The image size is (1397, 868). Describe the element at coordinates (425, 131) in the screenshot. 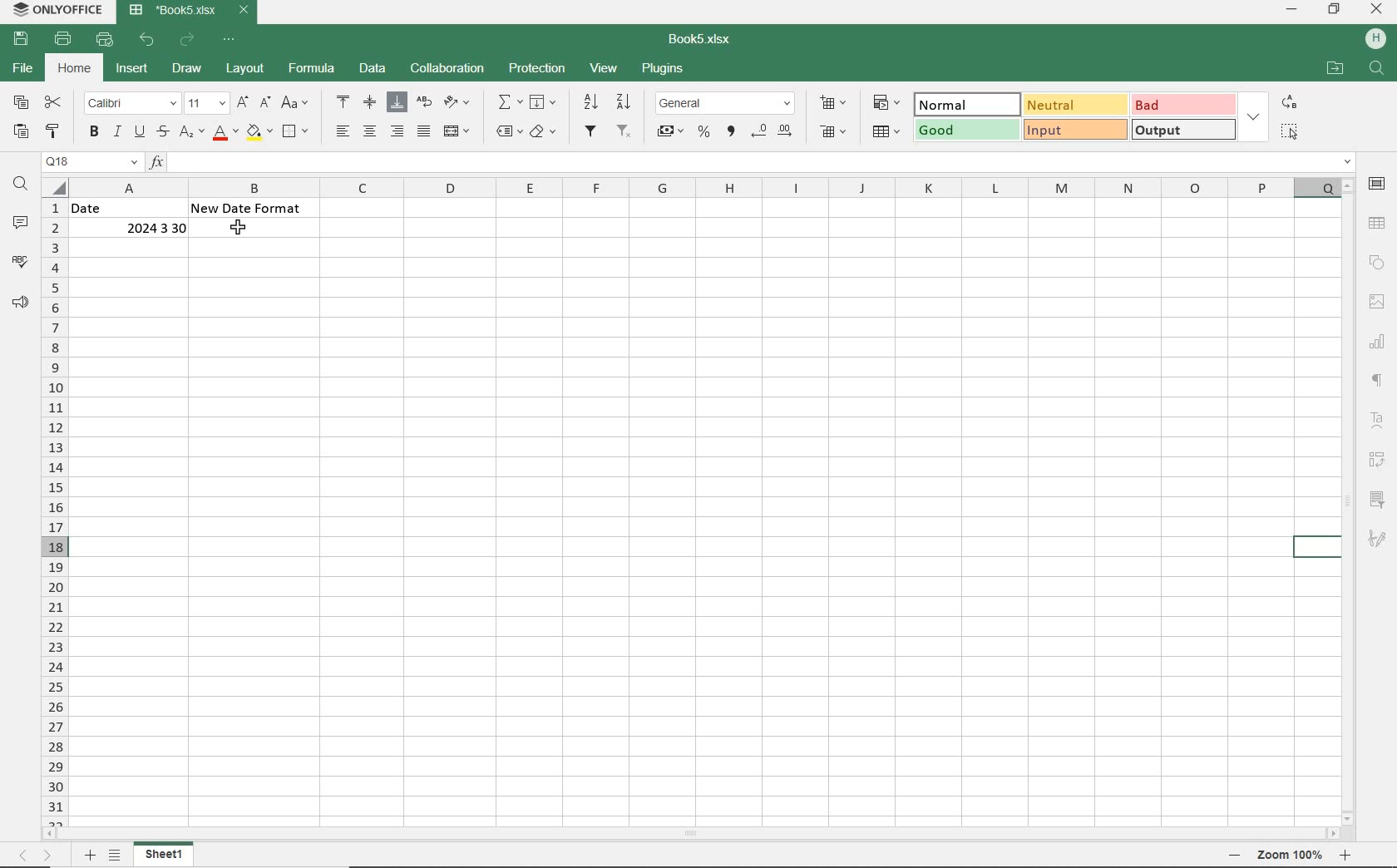

I see `JUSTIFIED` at that location.